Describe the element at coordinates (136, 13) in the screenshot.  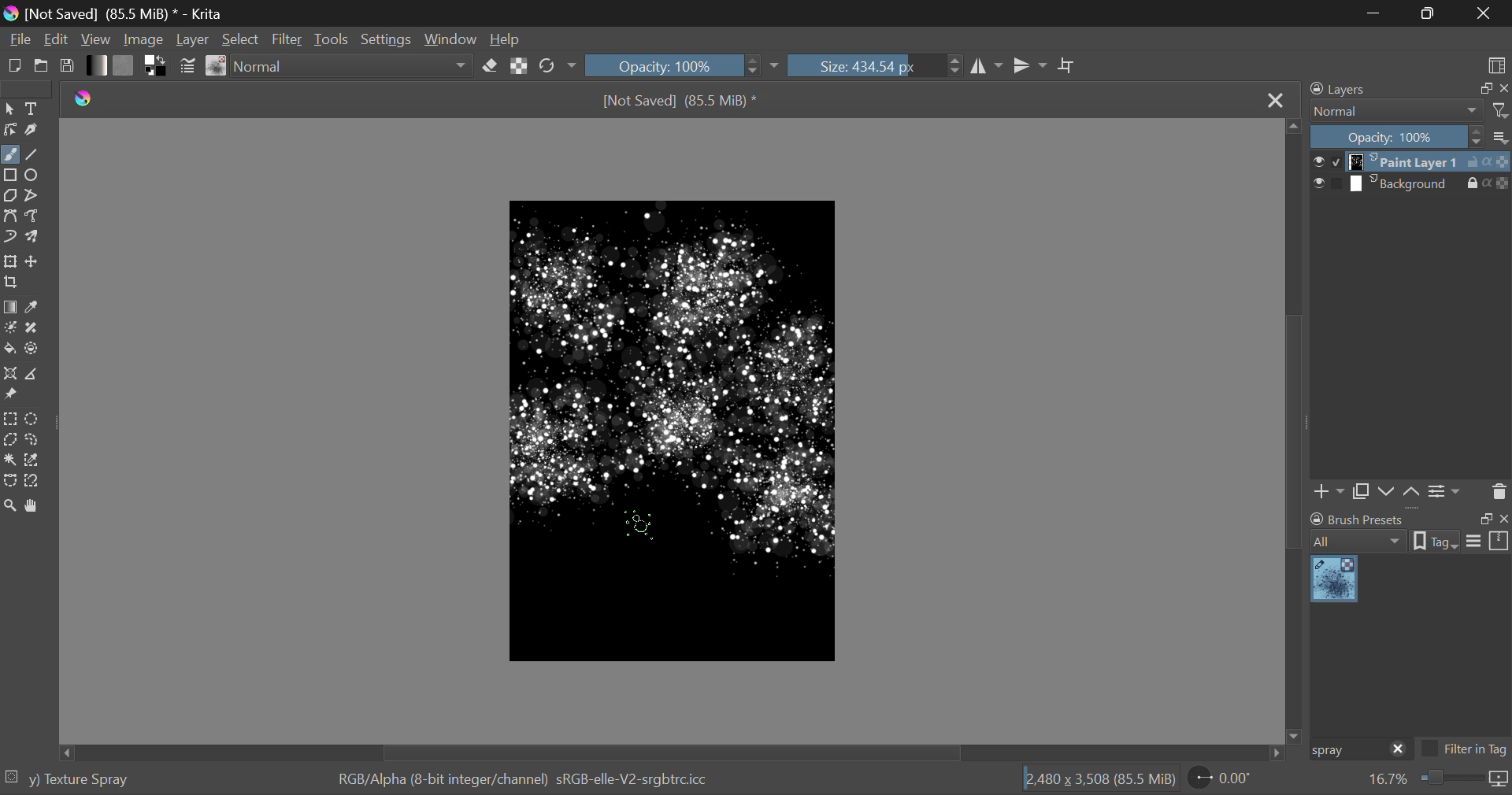
I see `[Not Saved] (69.2 MiB) * - Krita` at that location.